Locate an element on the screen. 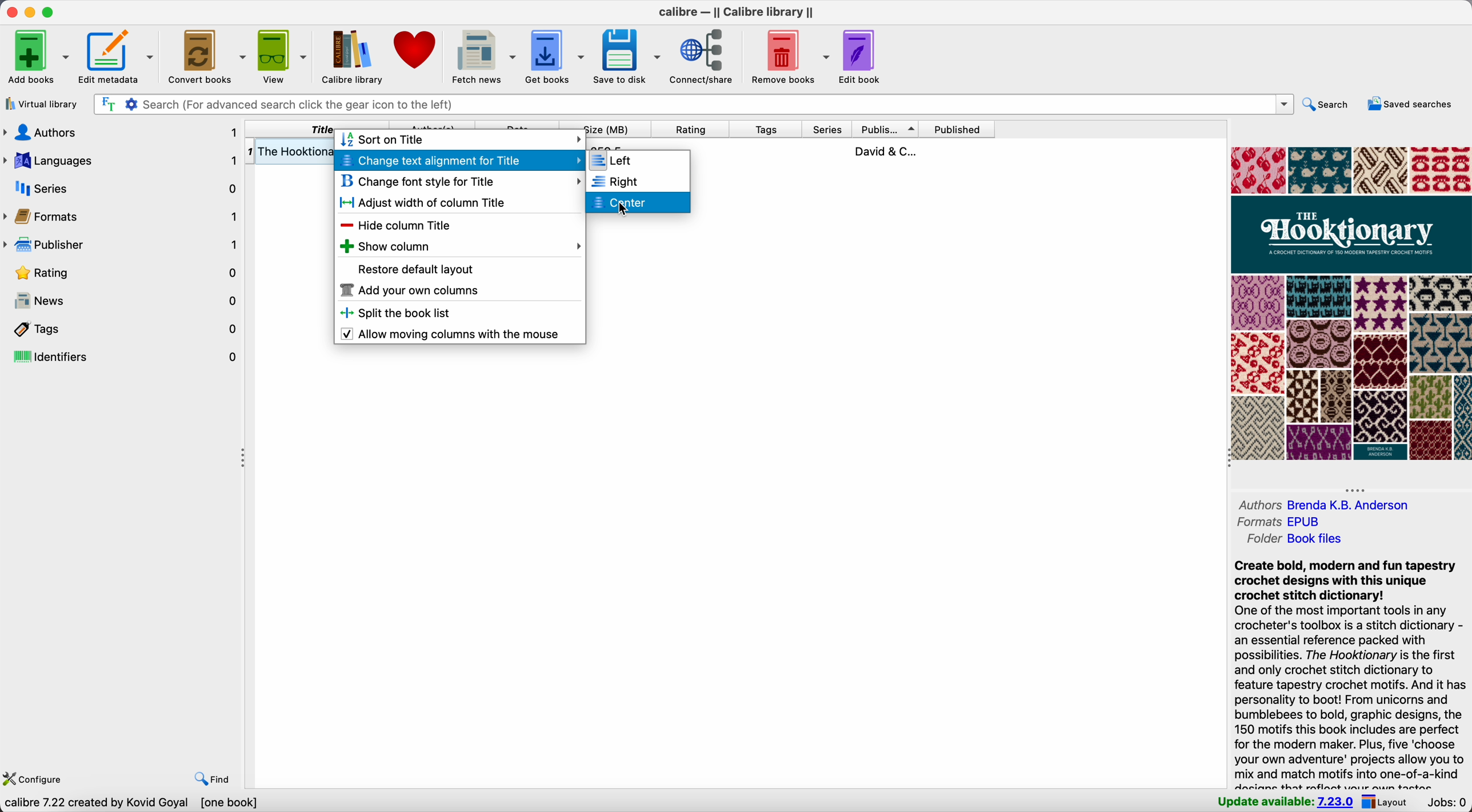 Image resolution: width=1472 pixels, height=812 pixels. published is located at coordinates (957, 129).